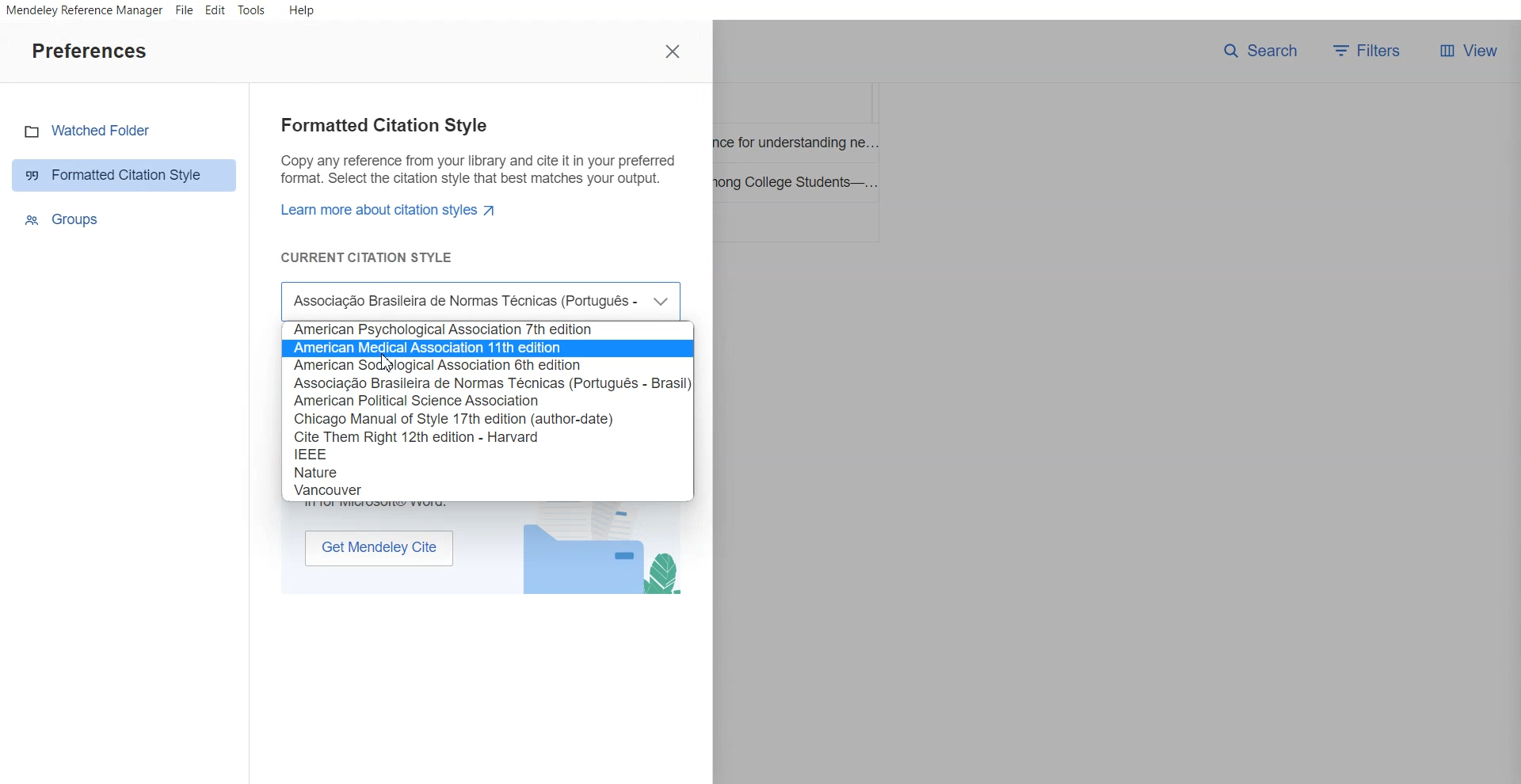 The width and height of the screenshot is (1521, 784). Describe the element at coordinates (491, 382) in the screenshot. I see `Citation` at that location.